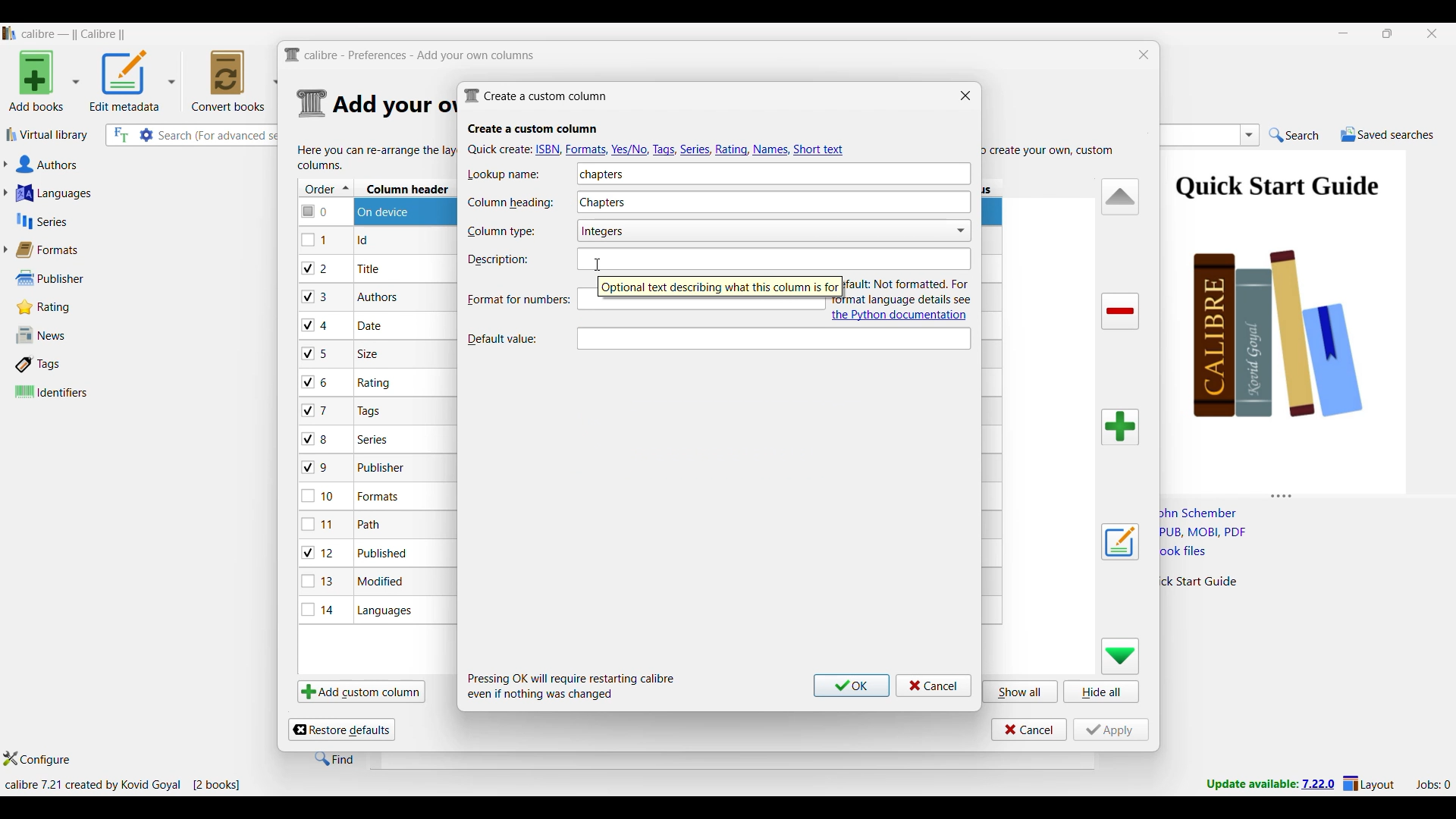 The width and height of the screenshot is (1456, 819). I want to click on Series, so click(114, 221).